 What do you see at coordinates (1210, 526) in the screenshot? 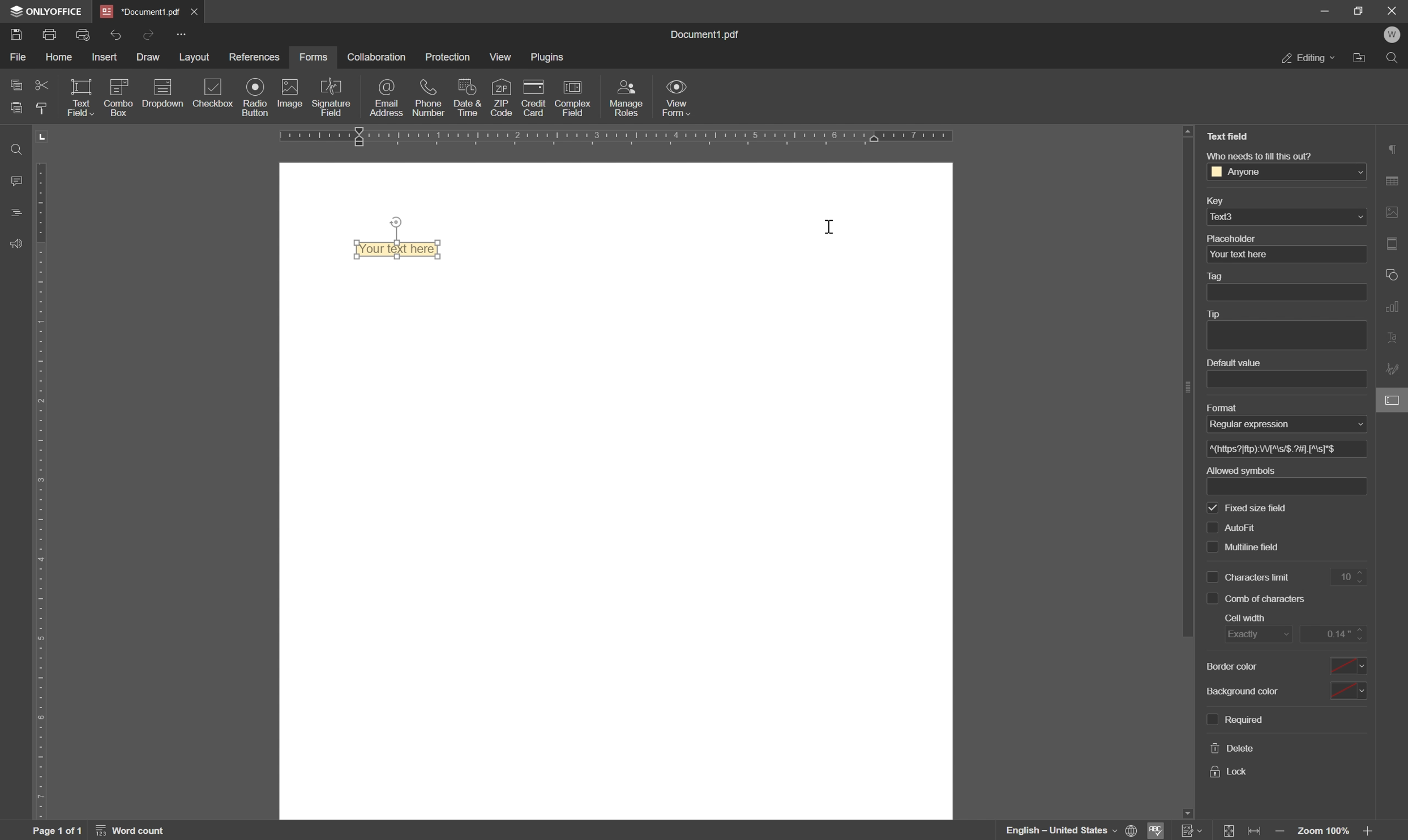
I see `checkbox` at bounding box center [1210, 526].